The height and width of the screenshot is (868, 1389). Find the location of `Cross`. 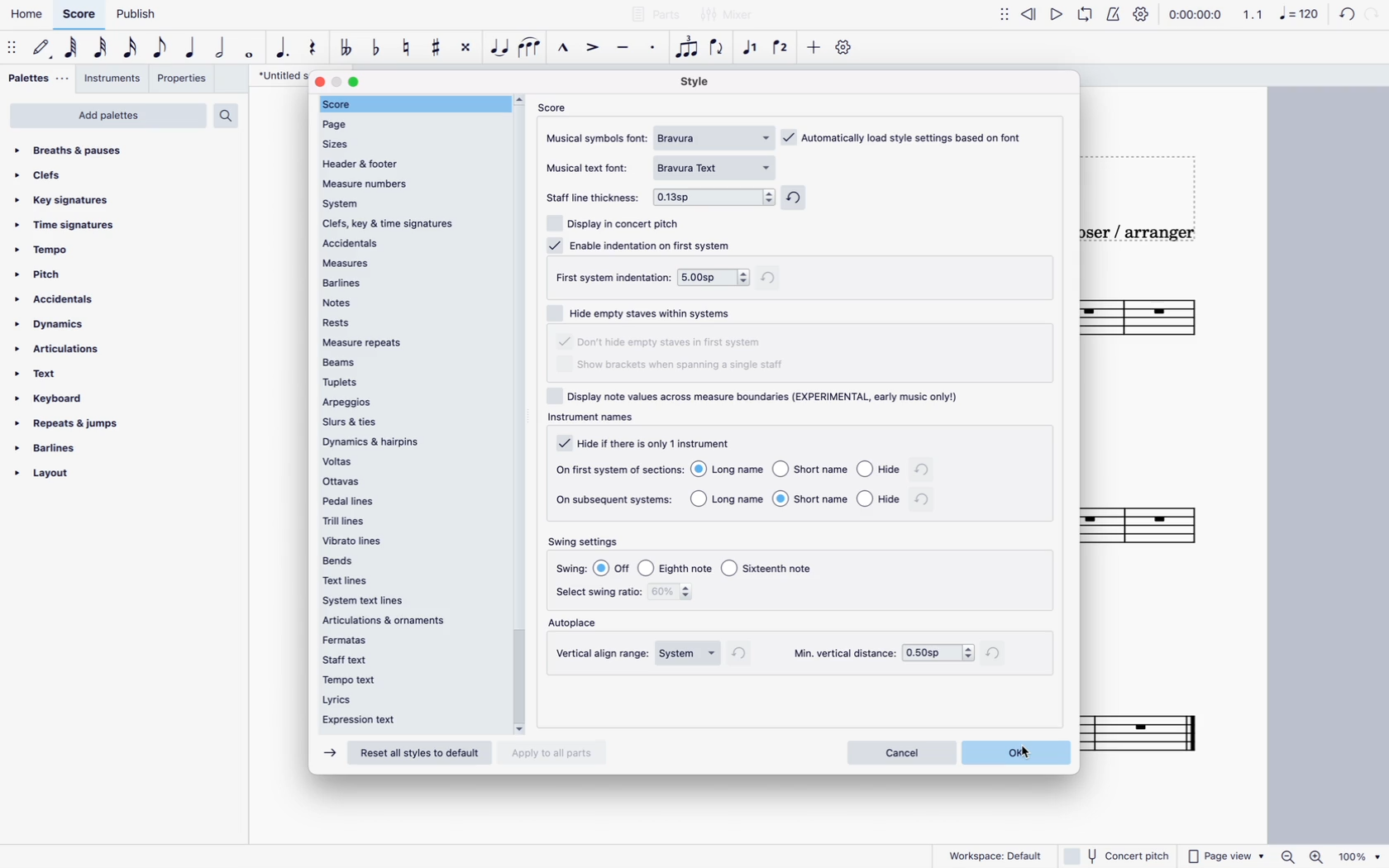

Cross is located at coordinates (465, 48).